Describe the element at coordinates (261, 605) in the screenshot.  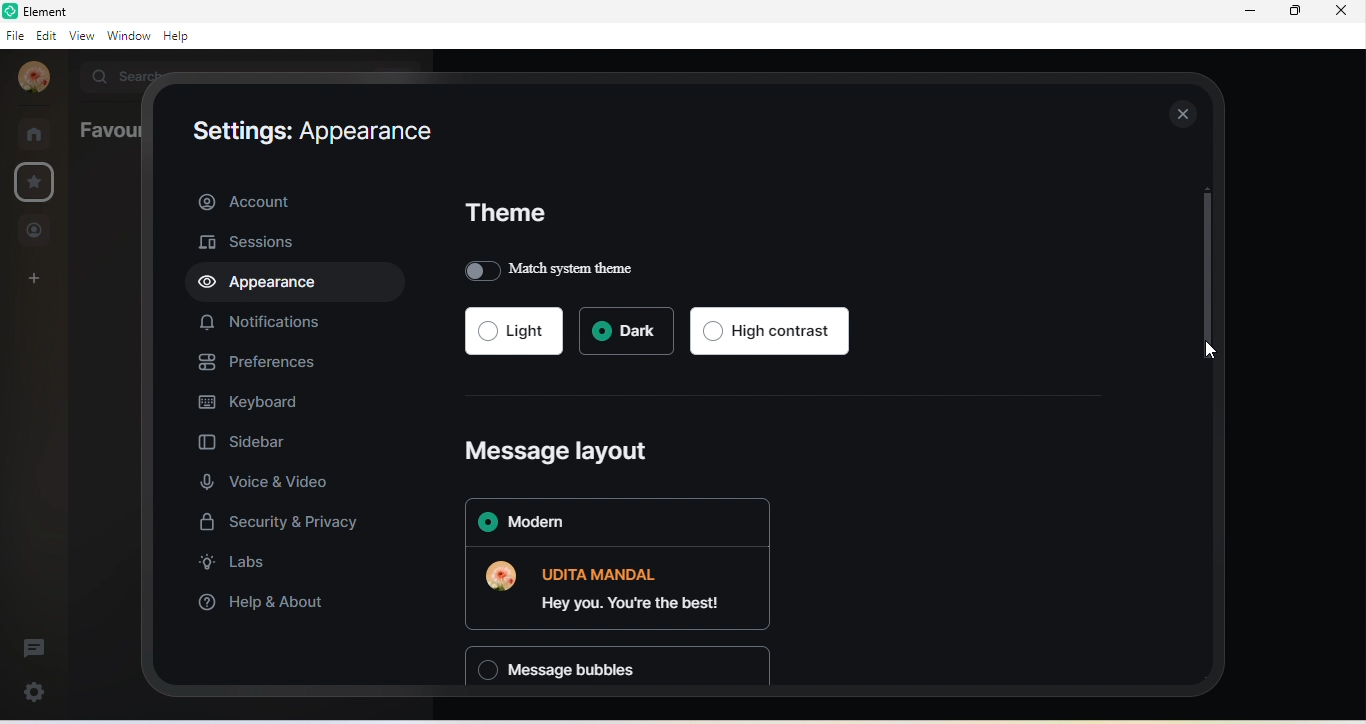
I see `help and about` at that location.